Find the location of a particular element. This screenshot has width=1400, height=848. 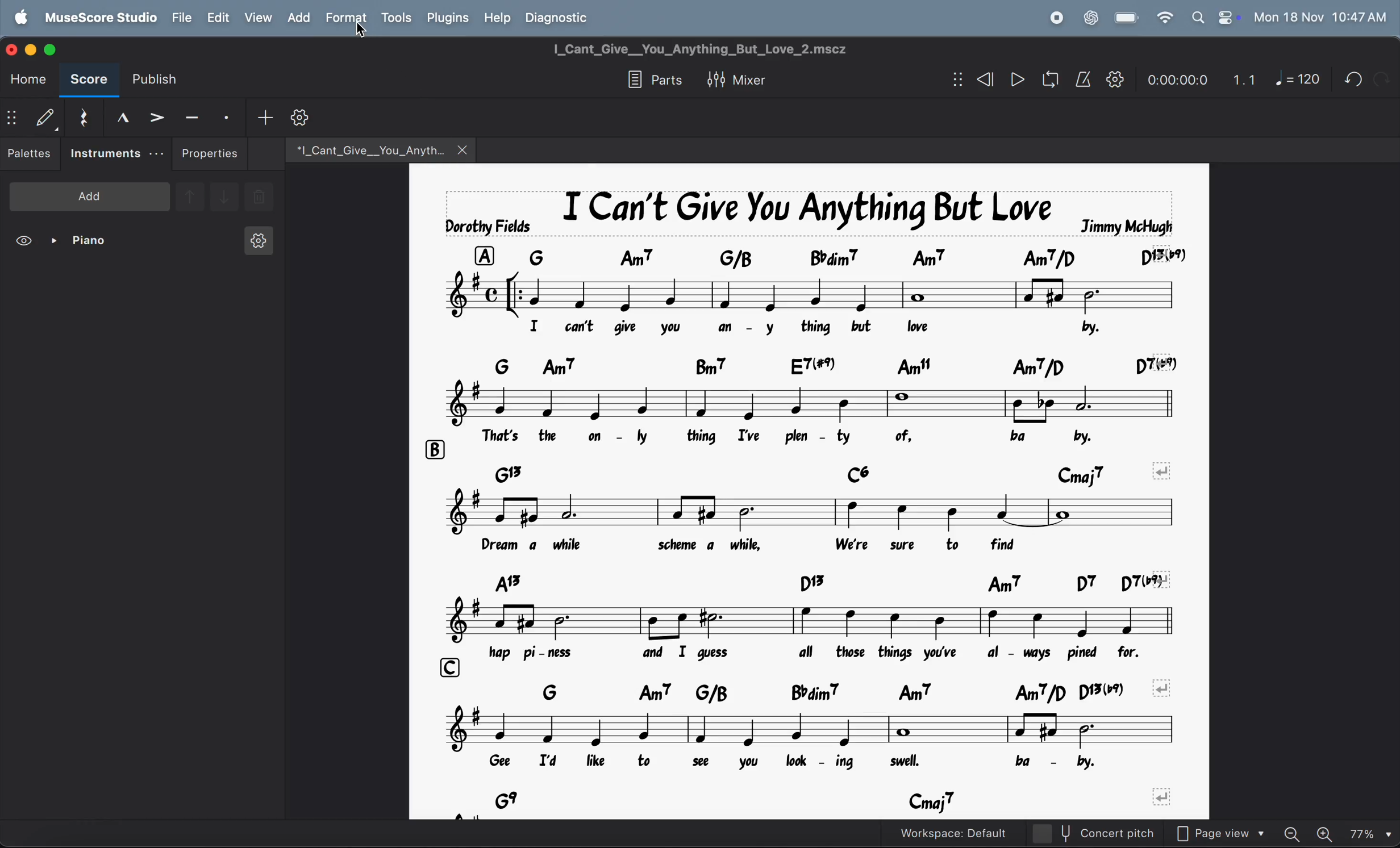

wifi is located at coordinates (1163, 18).